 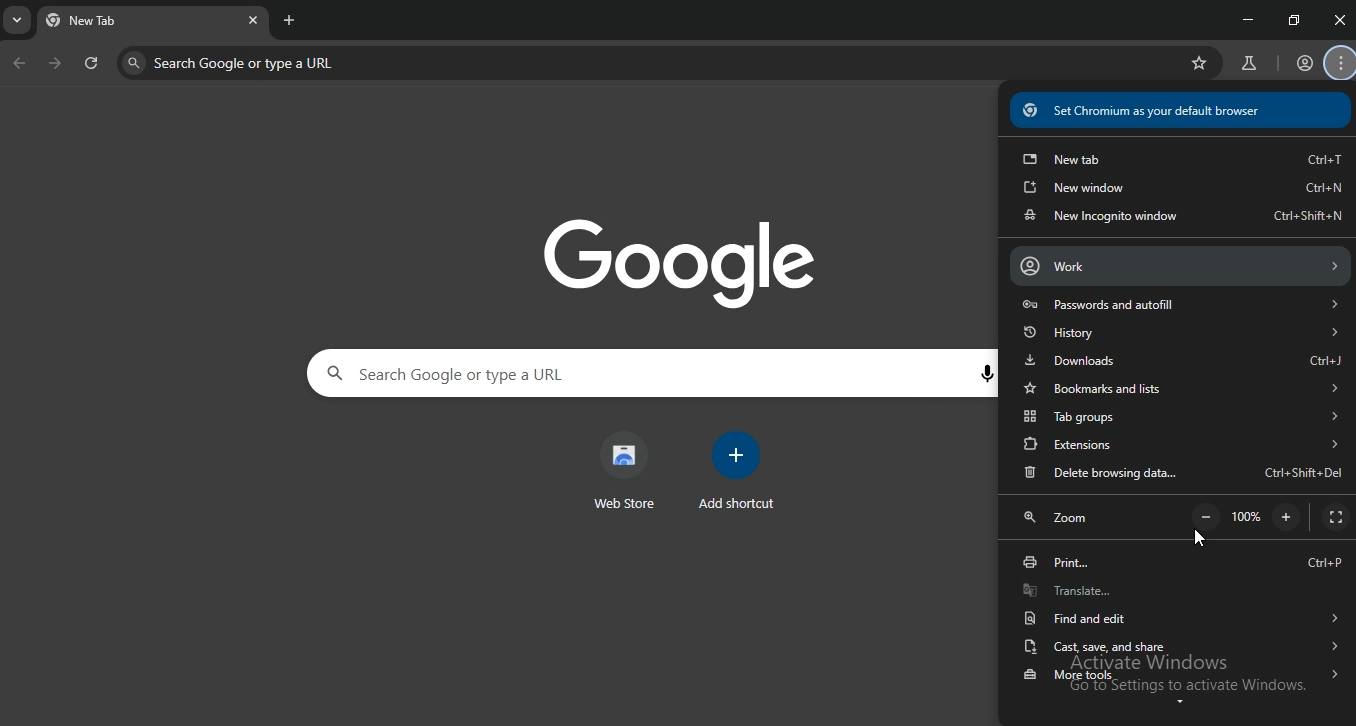 I want to click on close, so click(x=253, y=19).